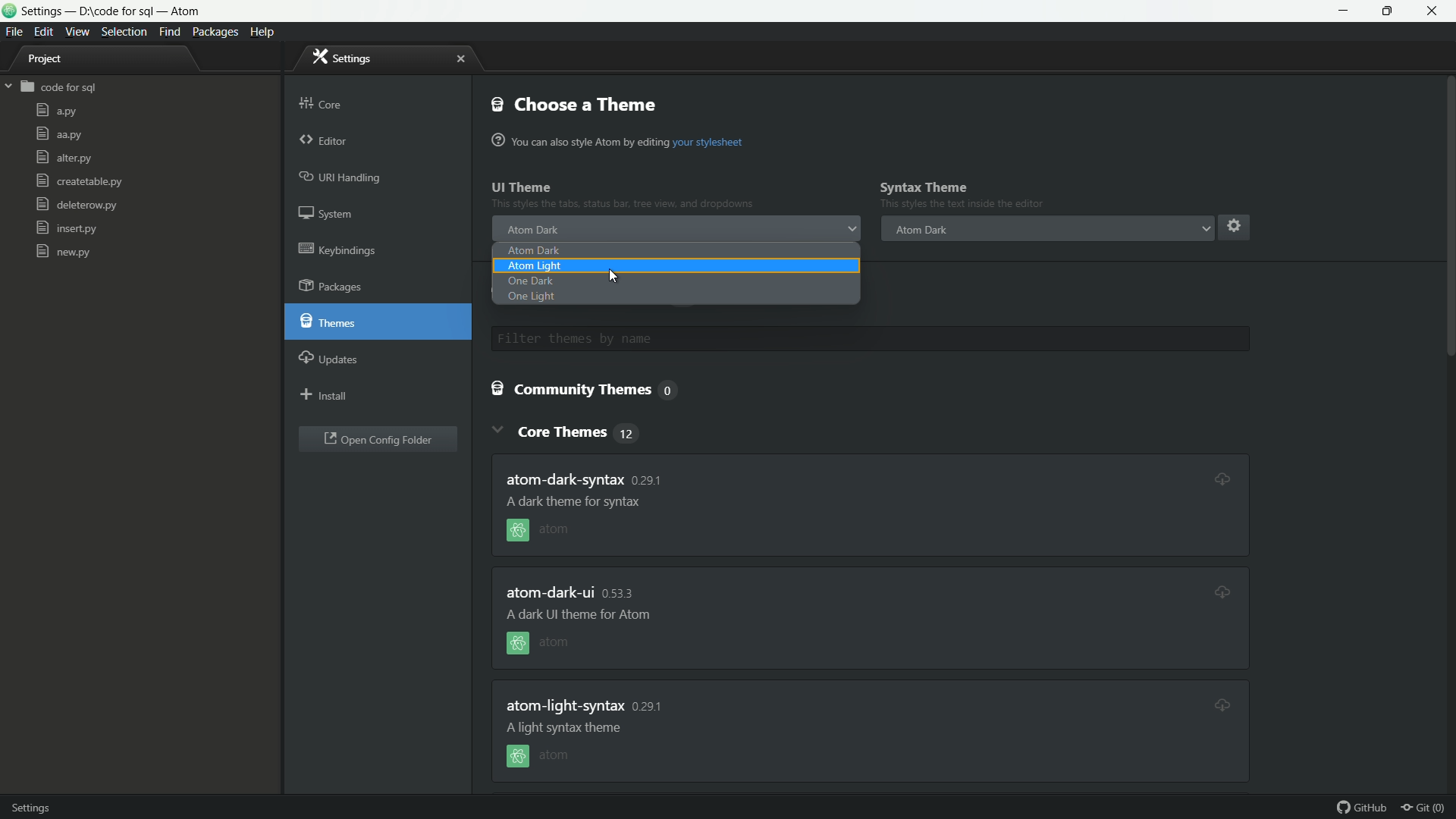 The width and height of the screenshot is (1456, 819). What do you see at coordinates (265, 32) in the screenshot?
I see `help menu` at bounding box center [265, 32].